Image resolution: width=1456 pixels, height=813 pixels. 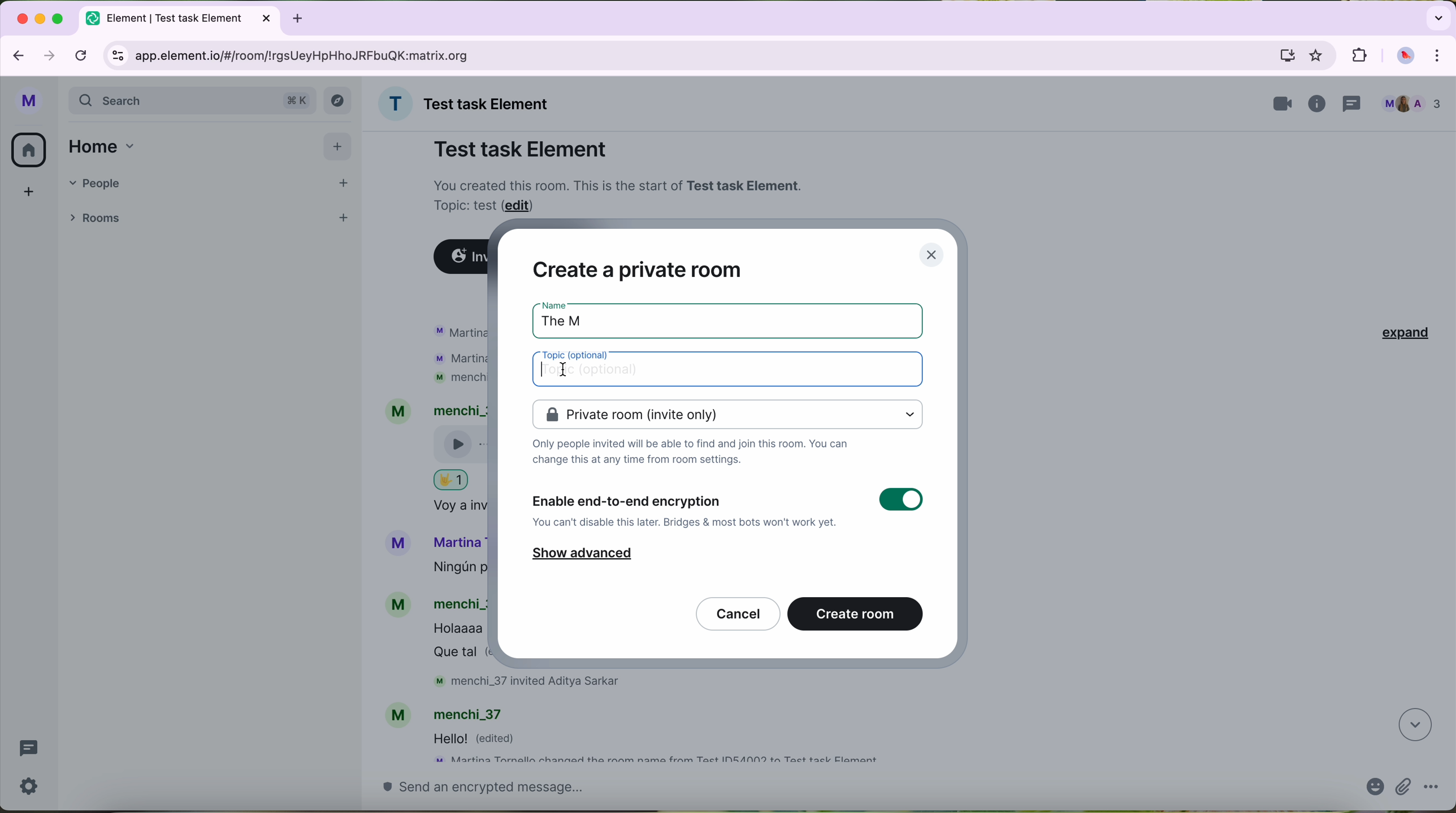 What do you see at coordinates (852, 792) in the screenshot?
I see `send a message` at bounding box center [852, 792].